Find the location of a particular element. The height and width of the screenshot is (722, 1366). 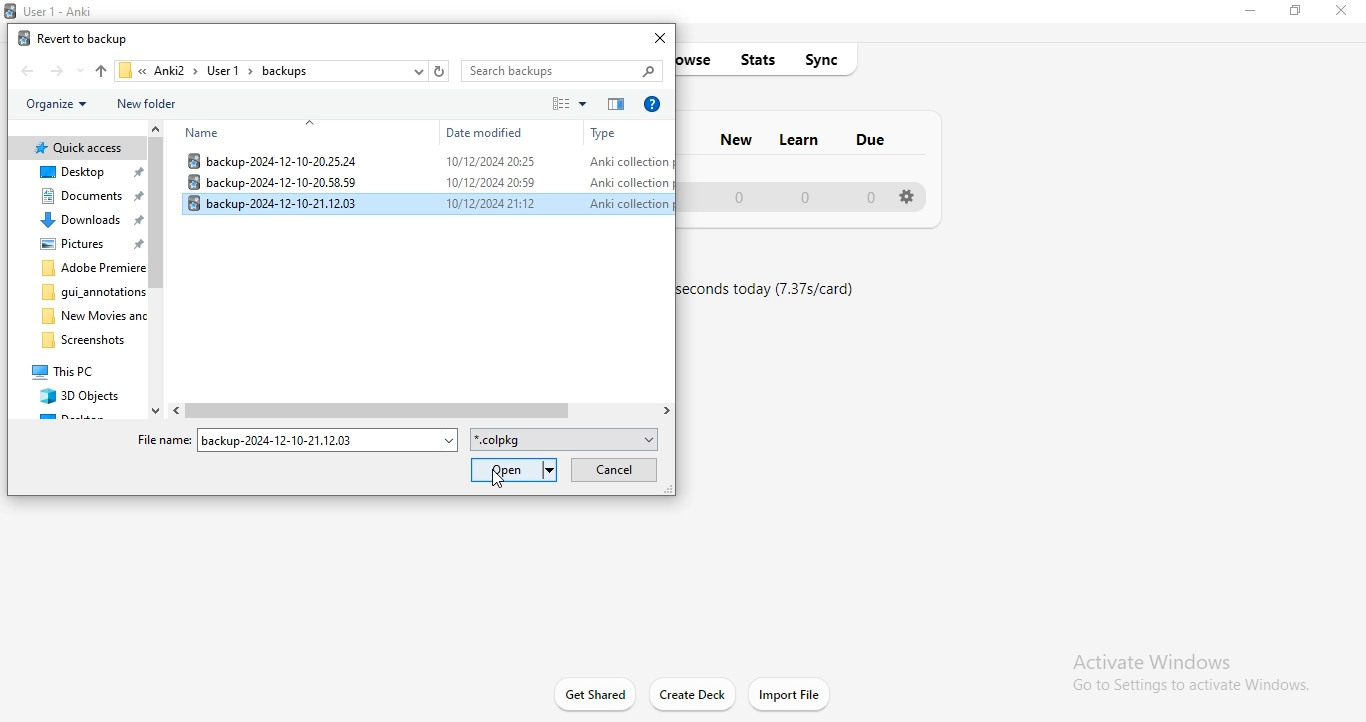

sync is located at coordinates (829, 59).